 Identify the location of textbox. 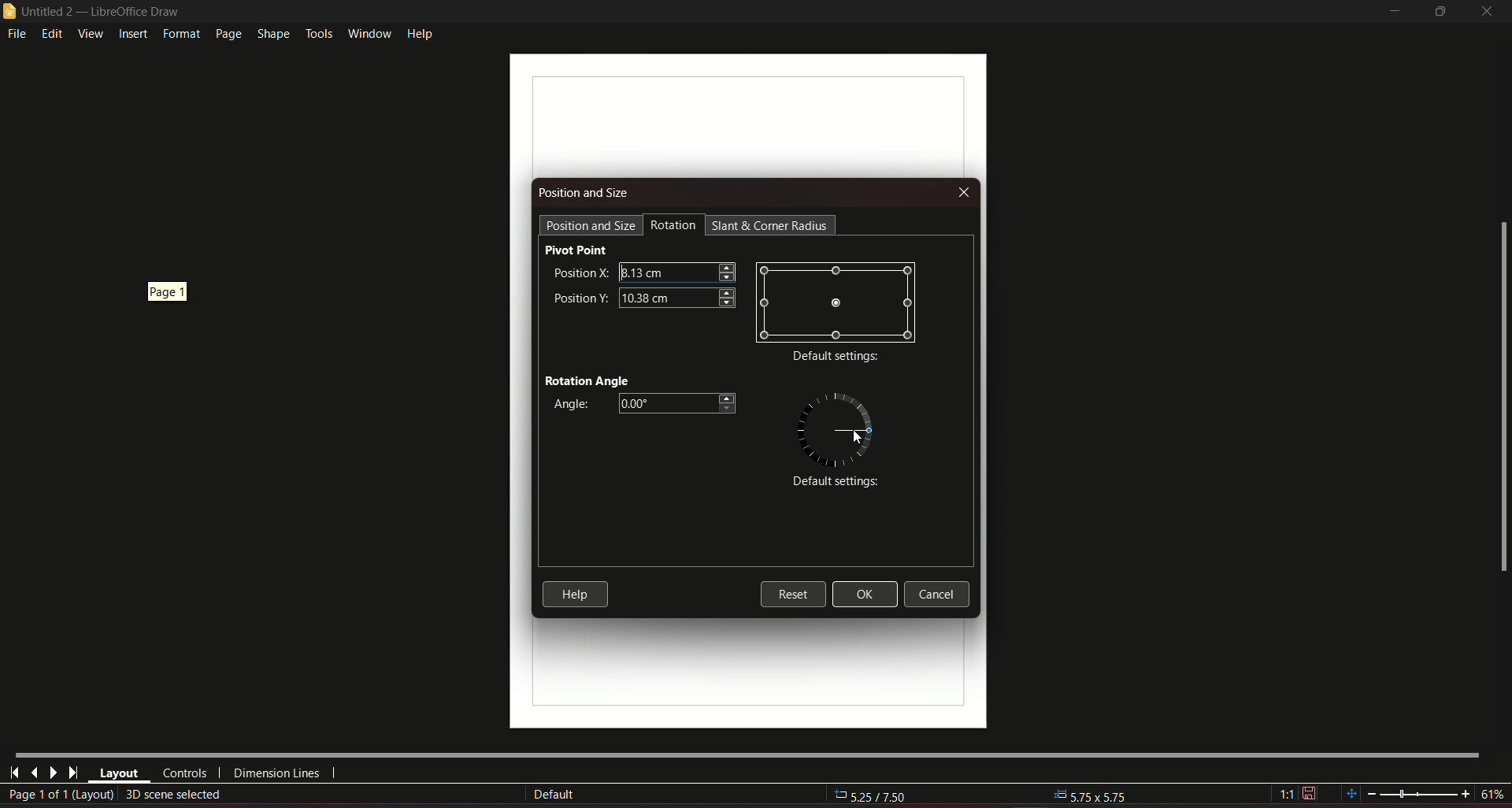
(680, 403).